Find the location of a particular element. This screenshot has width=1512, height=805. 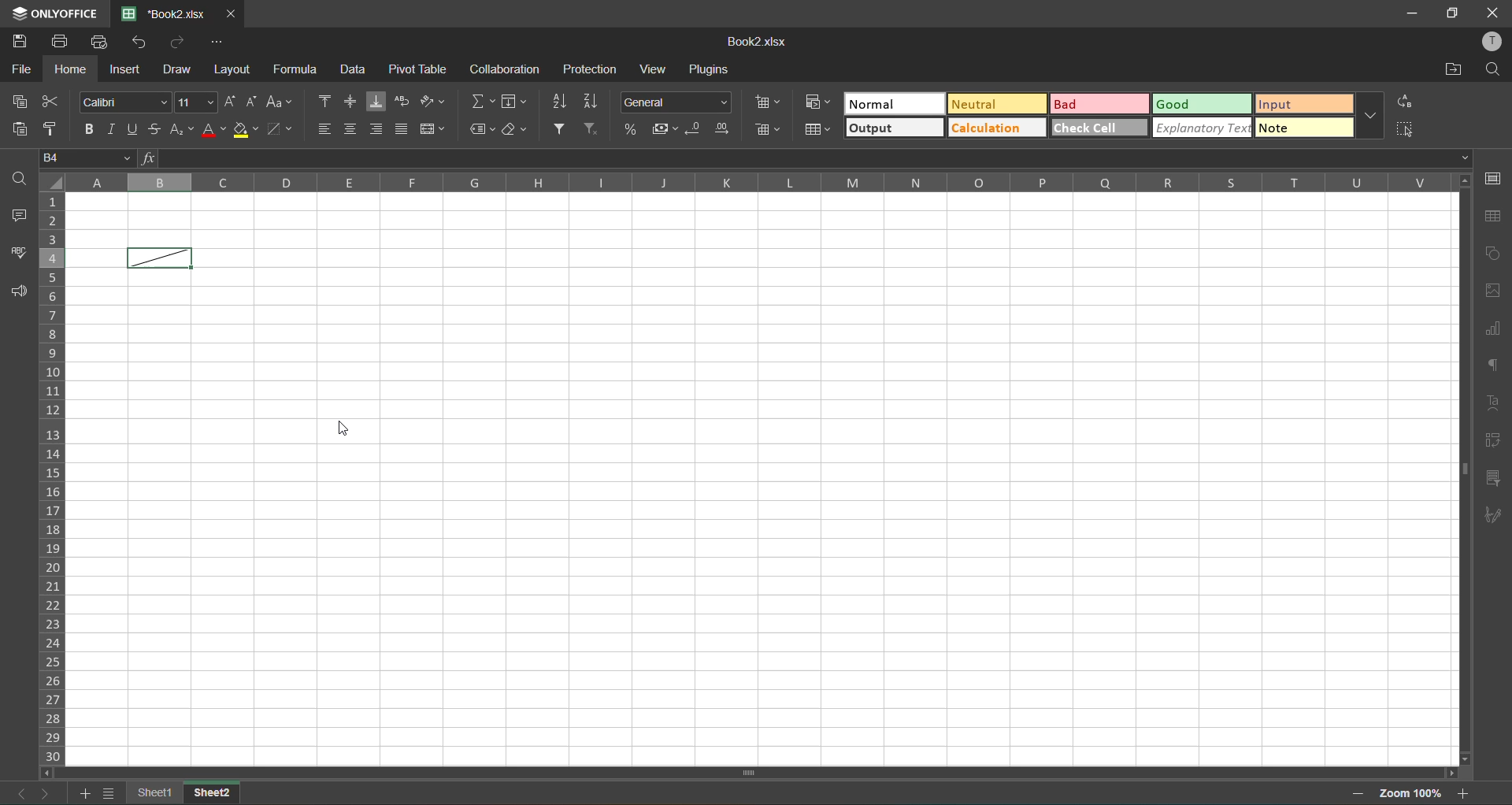

insert is located at coordinates (127, 70).